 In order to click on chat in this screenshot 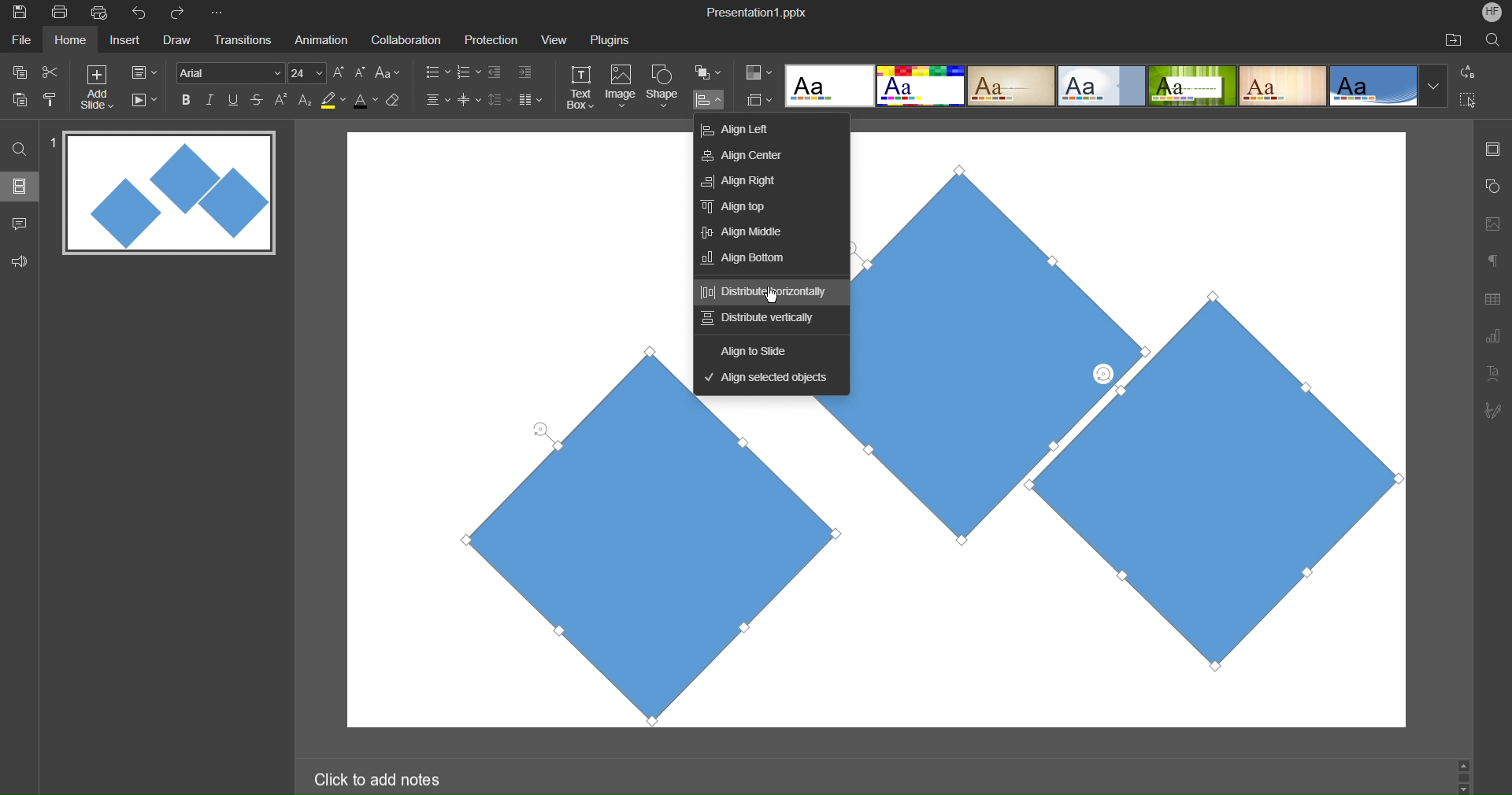, I will do `click(21, 221)`.